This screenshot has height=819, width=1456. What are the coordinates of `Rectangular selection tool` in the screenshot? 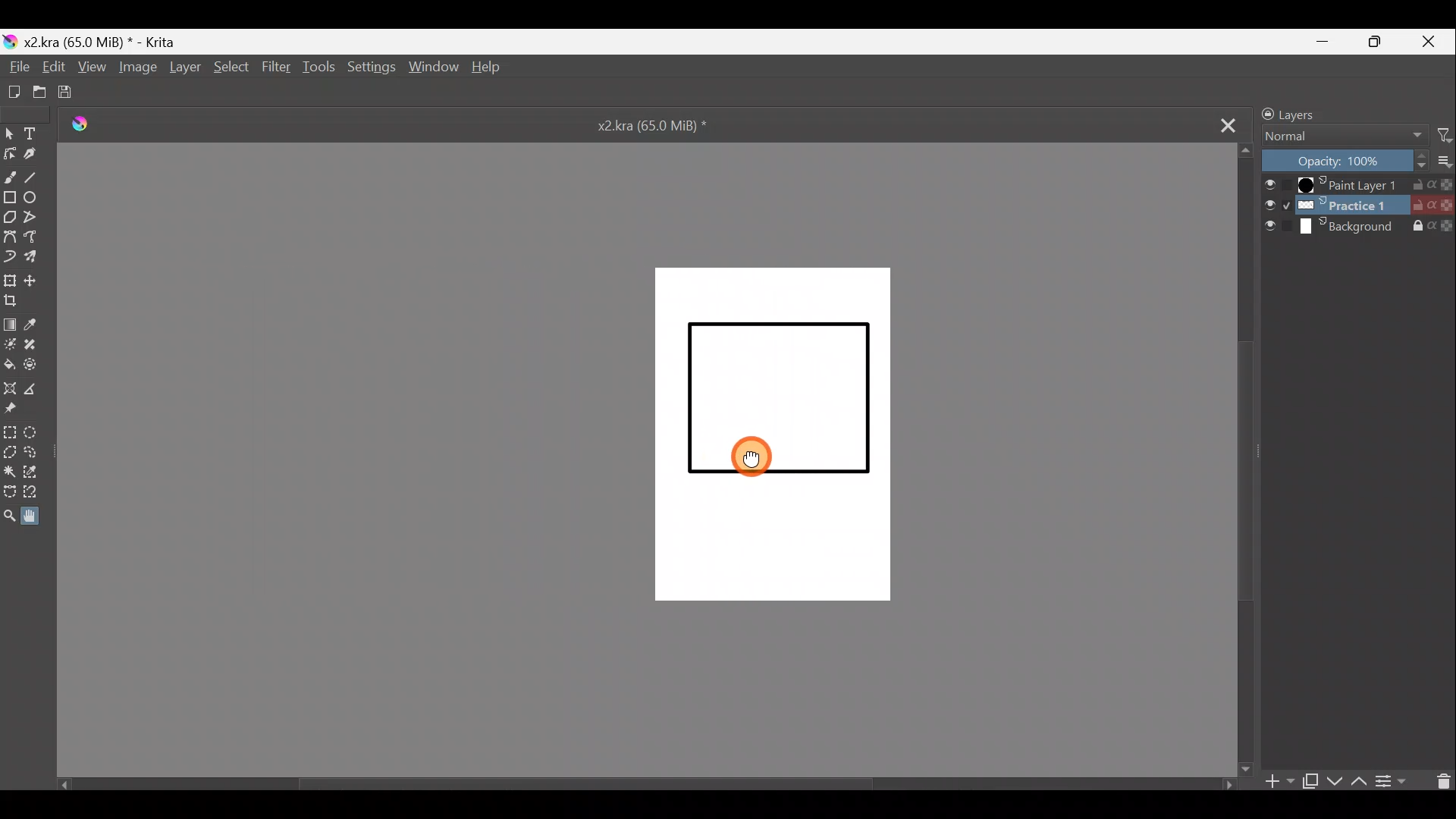 It's located at (11, 433).